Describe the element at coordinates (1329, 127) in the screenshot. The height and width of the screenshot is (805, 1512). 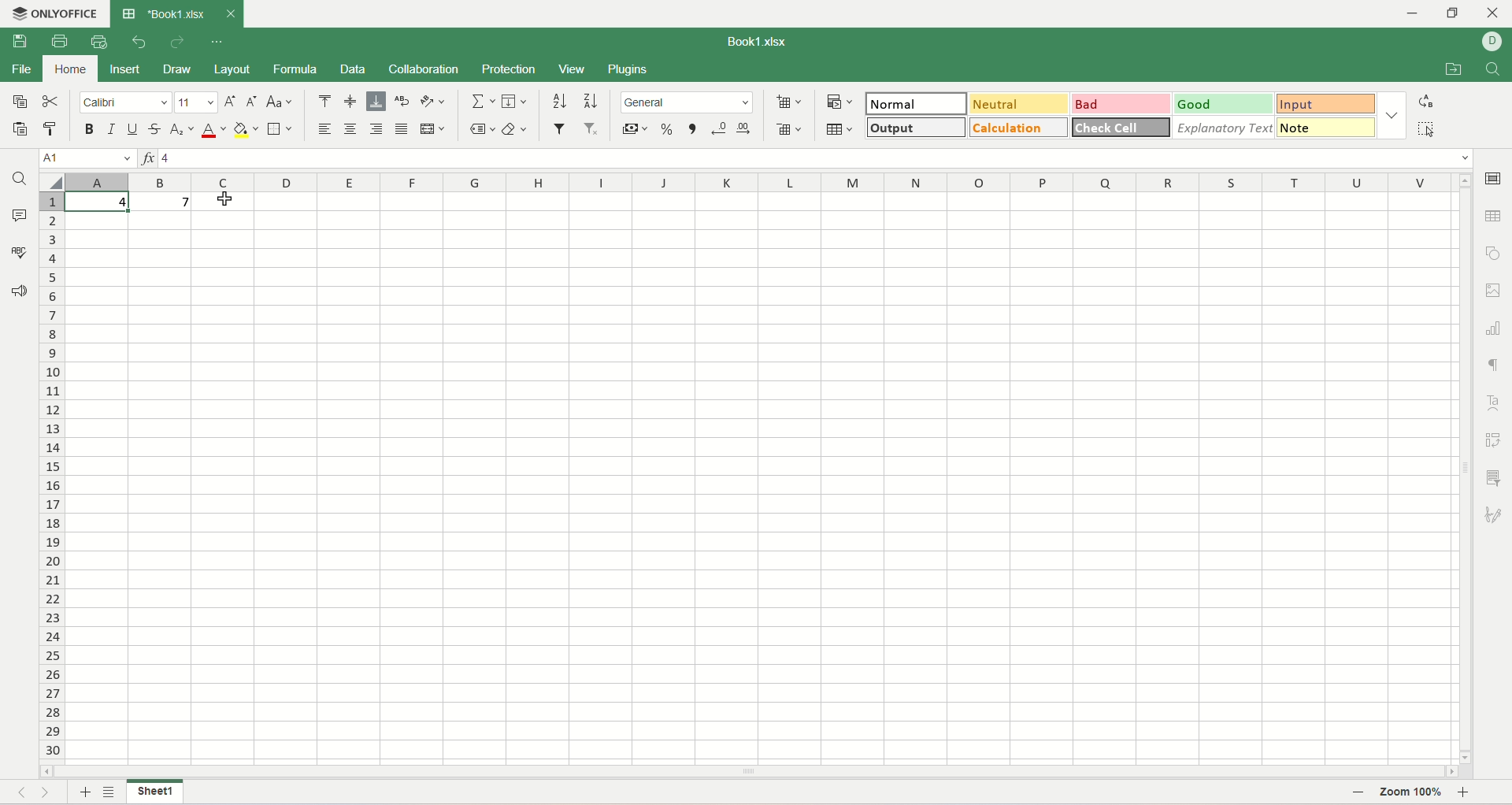
I see `note` at that location.